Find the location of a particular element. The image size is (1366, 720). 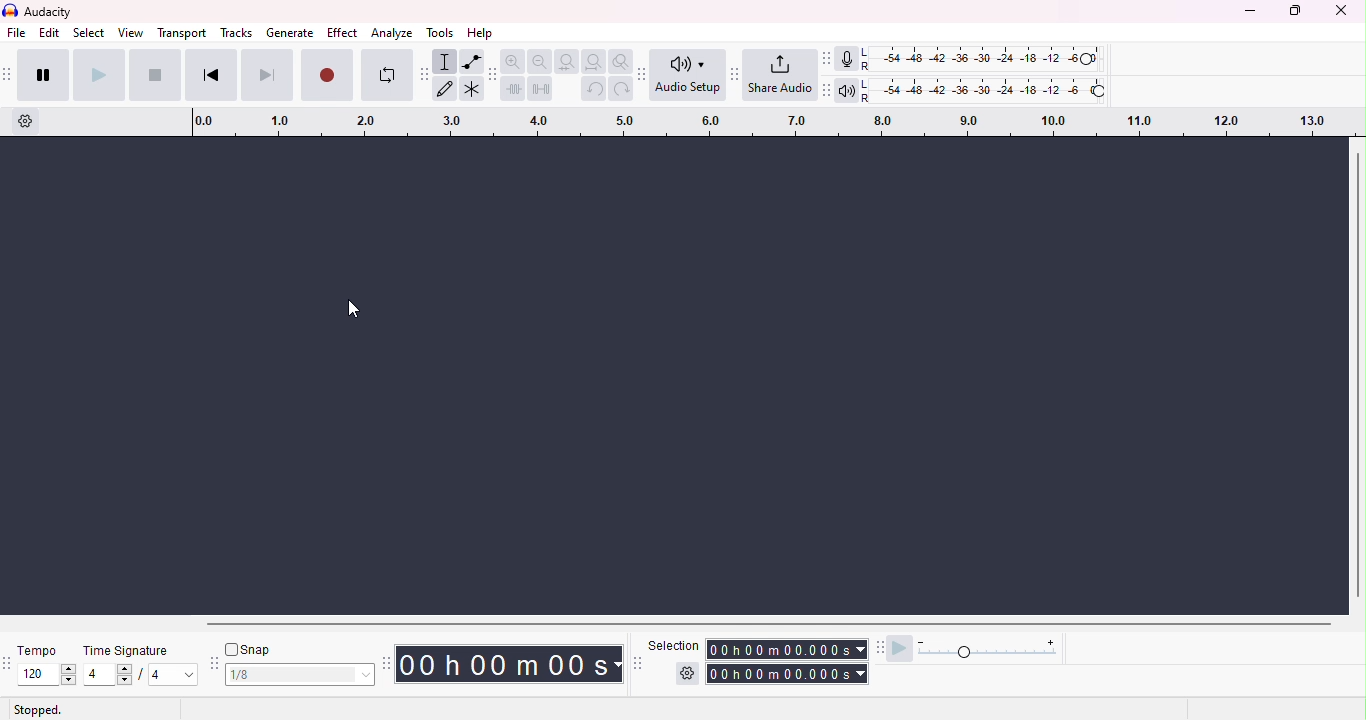

record meter is located at coordinates (849, 59).